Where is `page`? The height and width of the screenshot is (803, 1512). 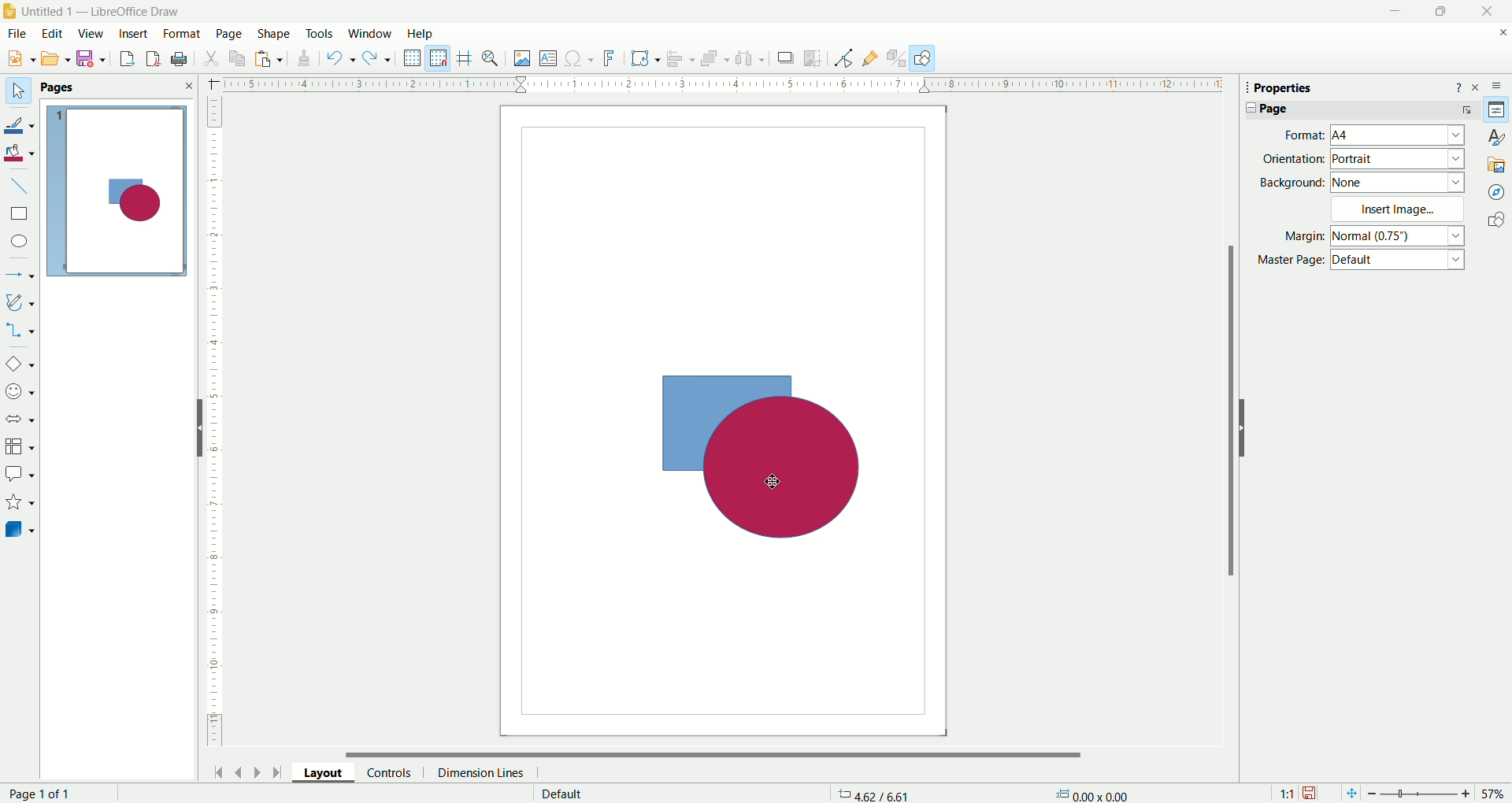 page is located at coordinates (228, 33).